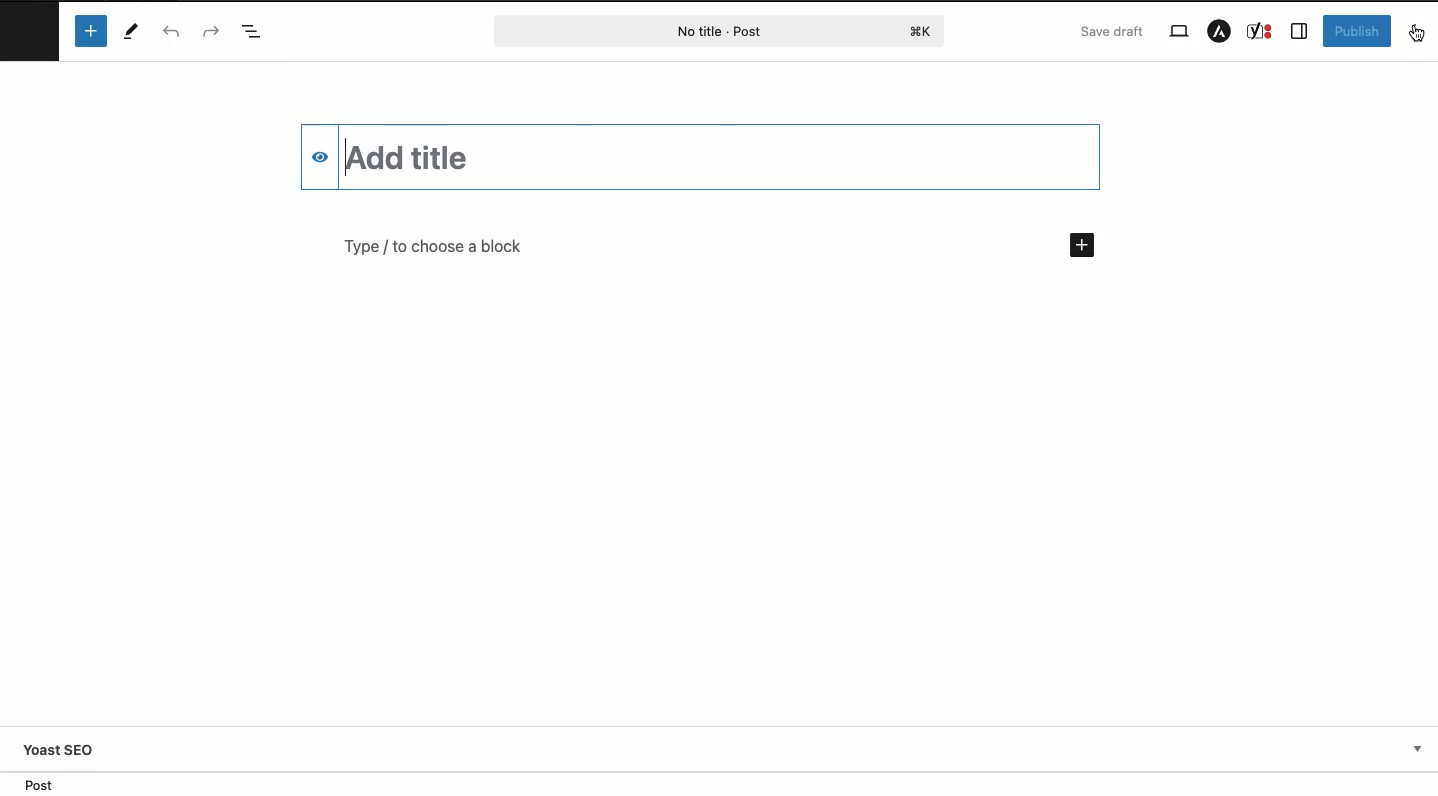 The height and width of the screenshot is (796, 1438). Describe the element at coordinates (696, 155) in the screenshot. I see `Title` at that location.